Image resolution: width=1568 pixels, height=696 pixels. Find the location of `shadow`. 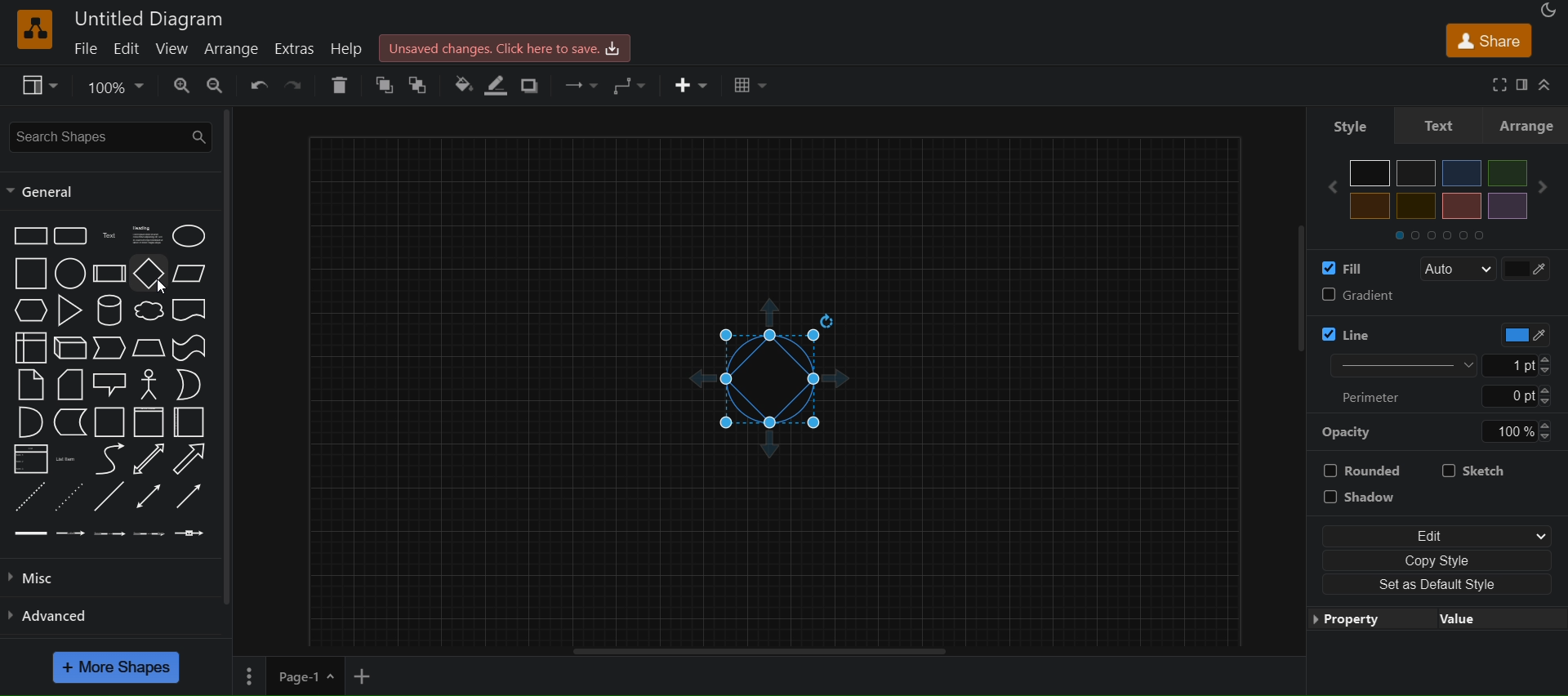

shadow is located at coordinates (1373, 499).